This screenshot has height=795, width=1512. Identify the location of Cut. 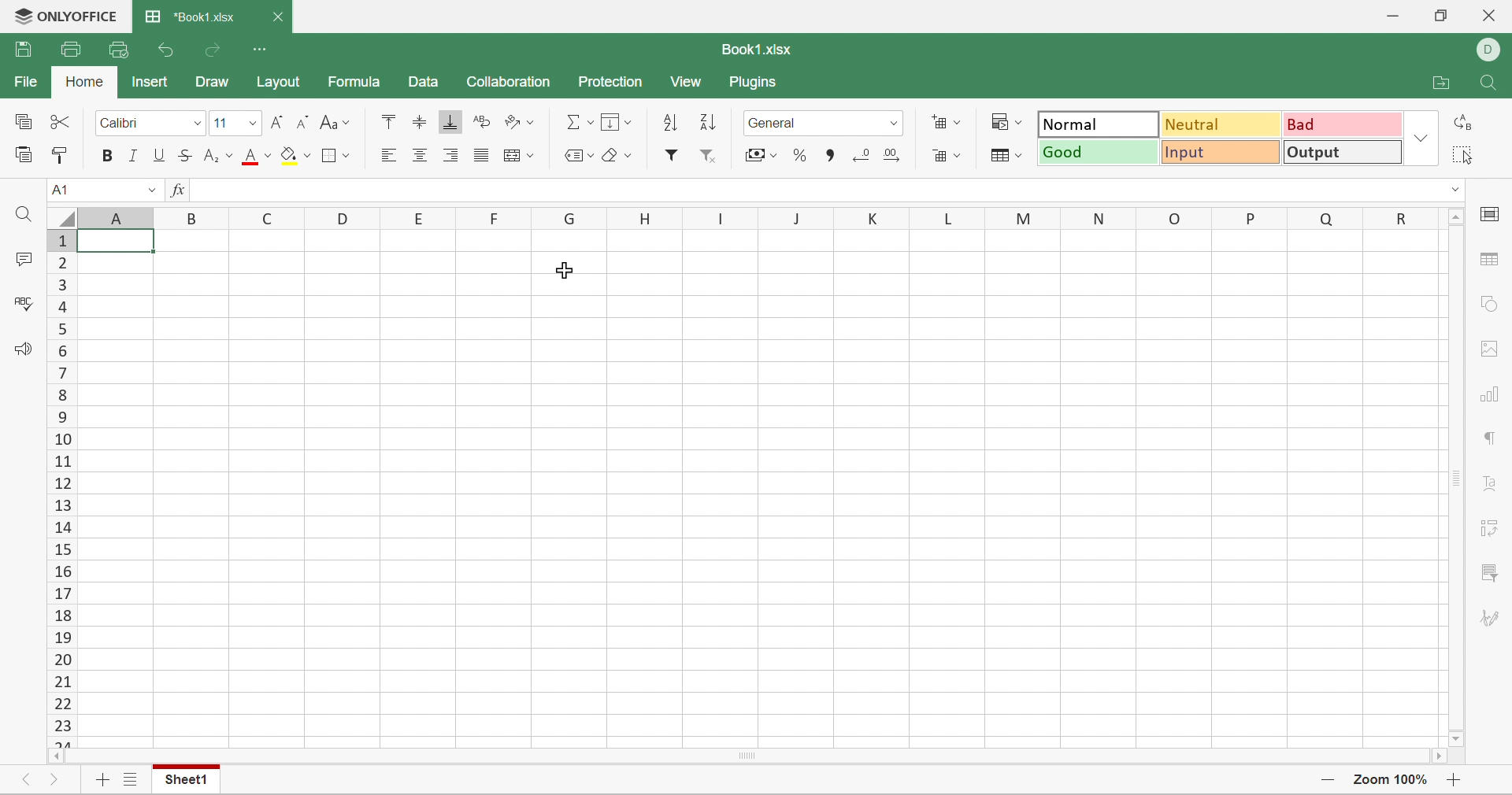
(65, 124).